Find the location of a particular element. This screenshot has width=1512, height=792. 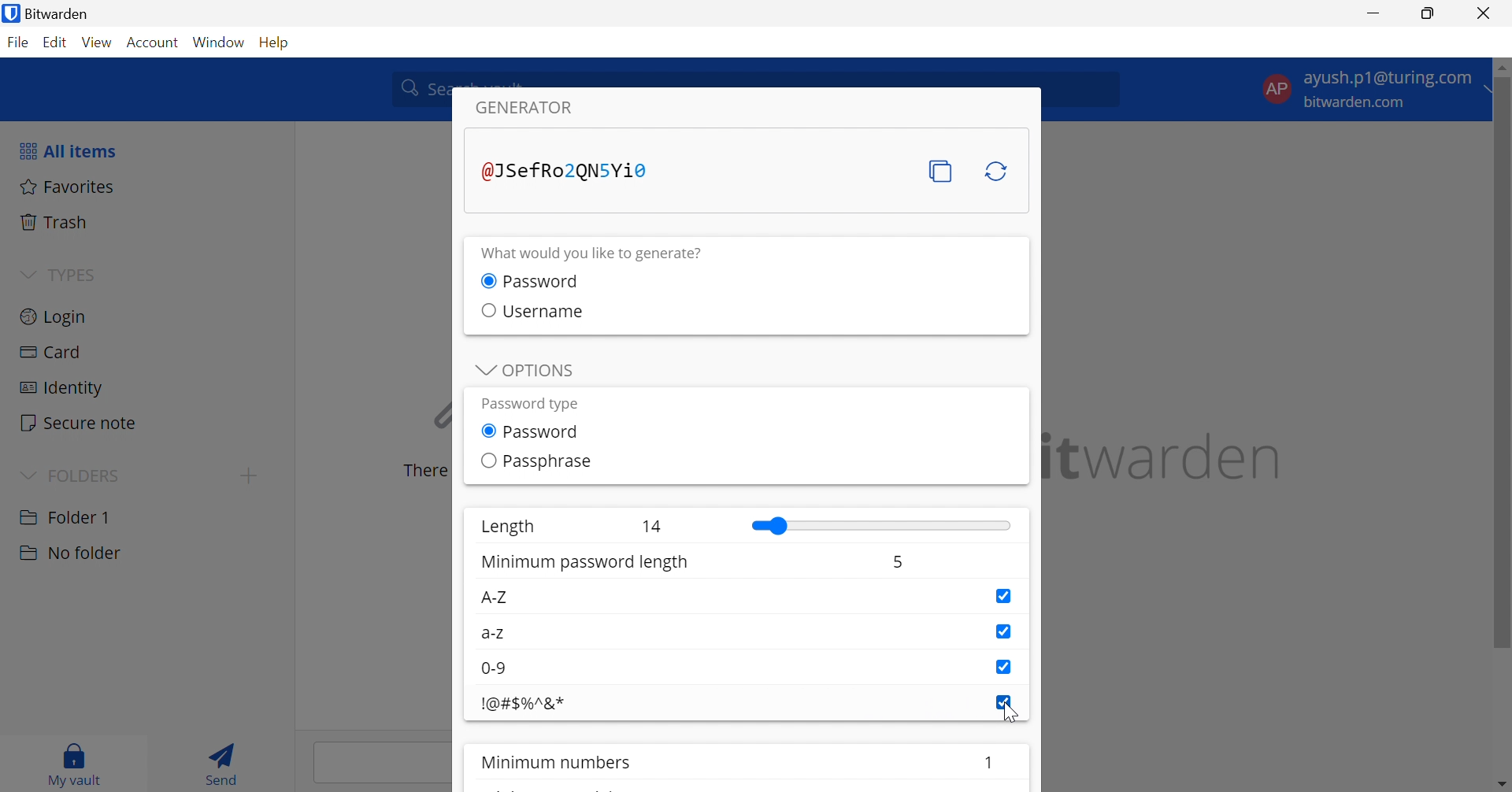

Trash is located at coordinates (58, 222).